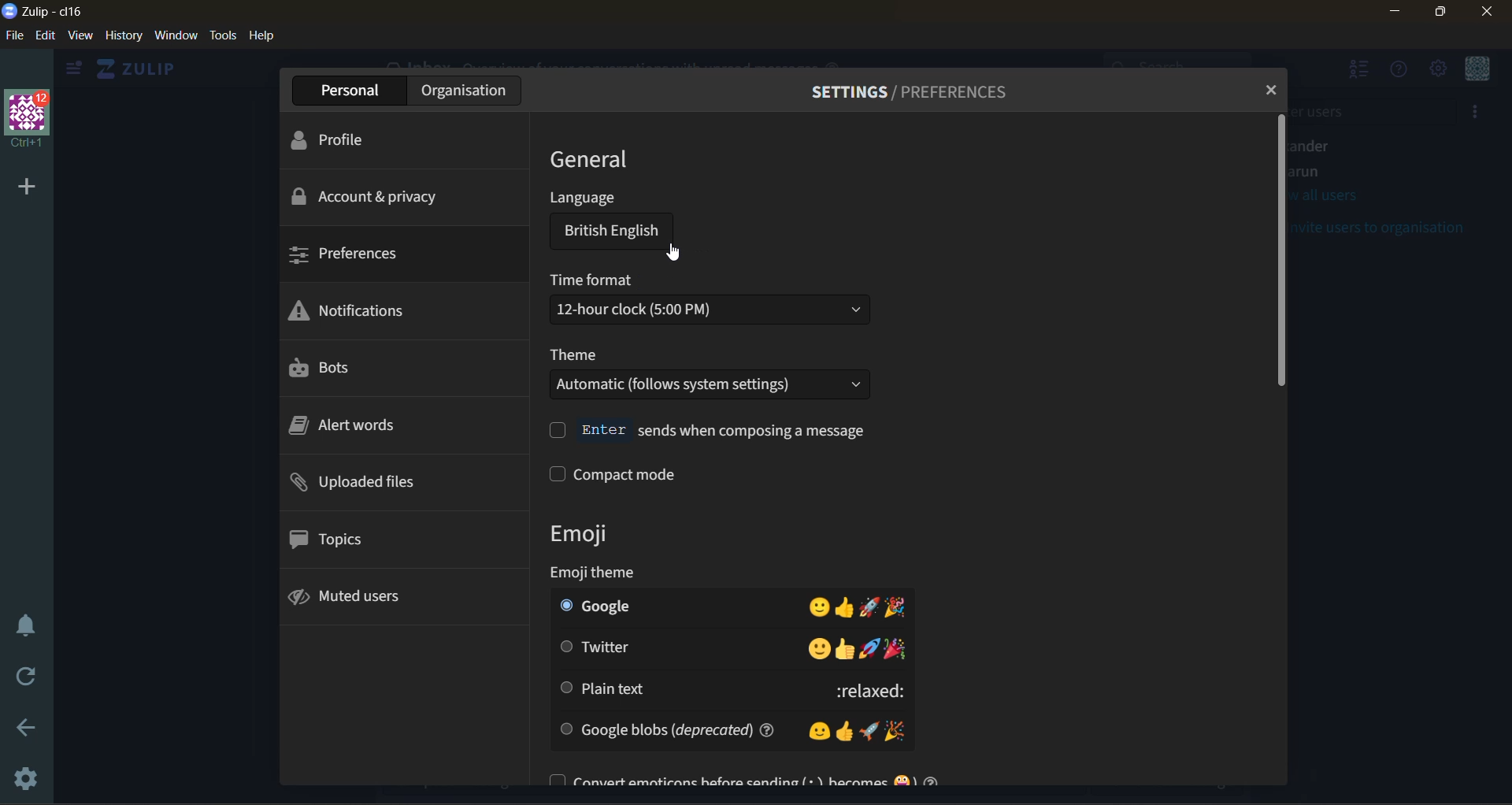 The height and width of the screenshot is (805, 1512). Describe the element at coordinates (655, 475) in the screenshot. I see `compact mode` at that location.